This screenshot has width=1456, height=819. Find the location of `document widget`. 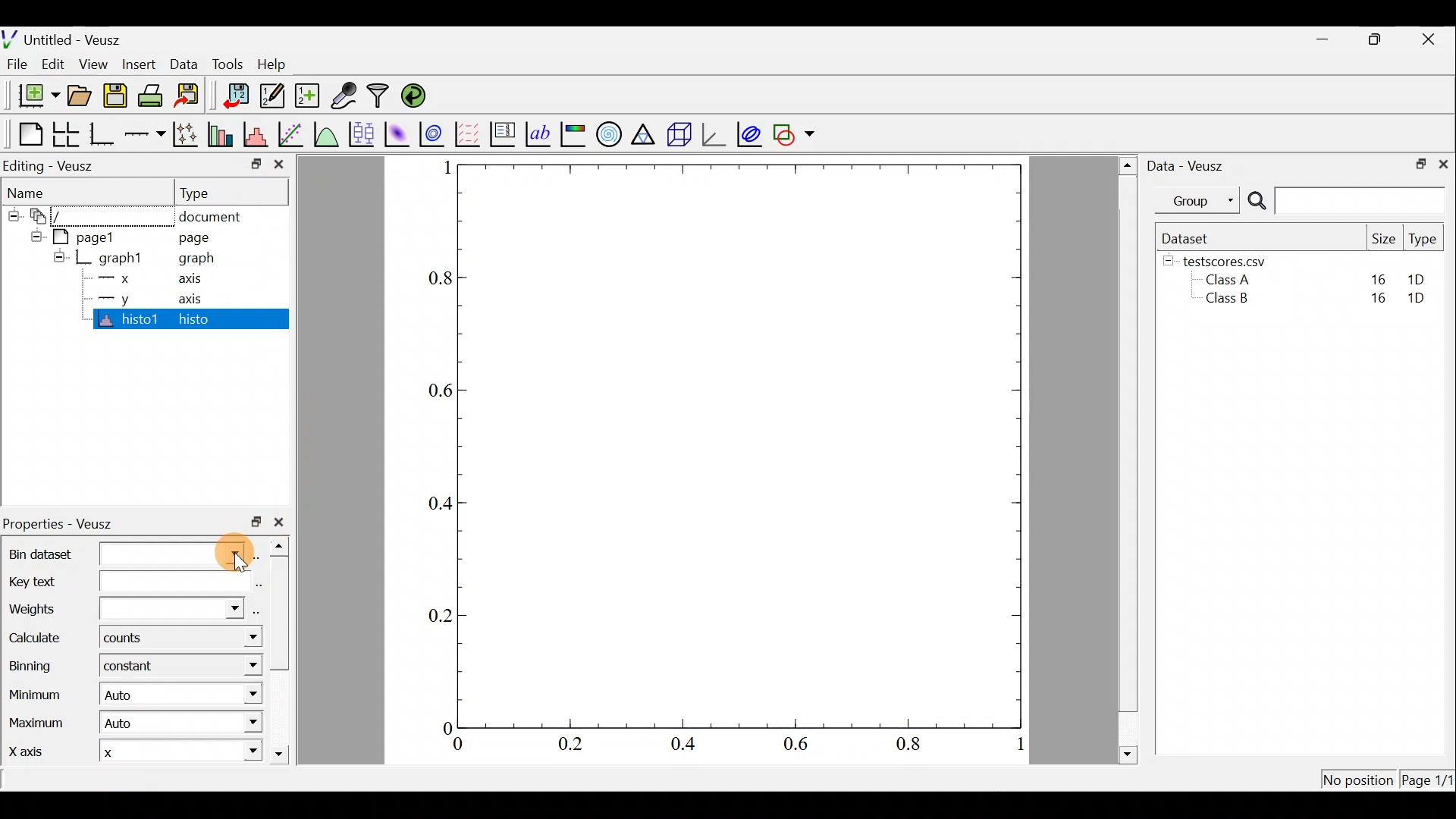

document widget is located at coordinates (45, 218).